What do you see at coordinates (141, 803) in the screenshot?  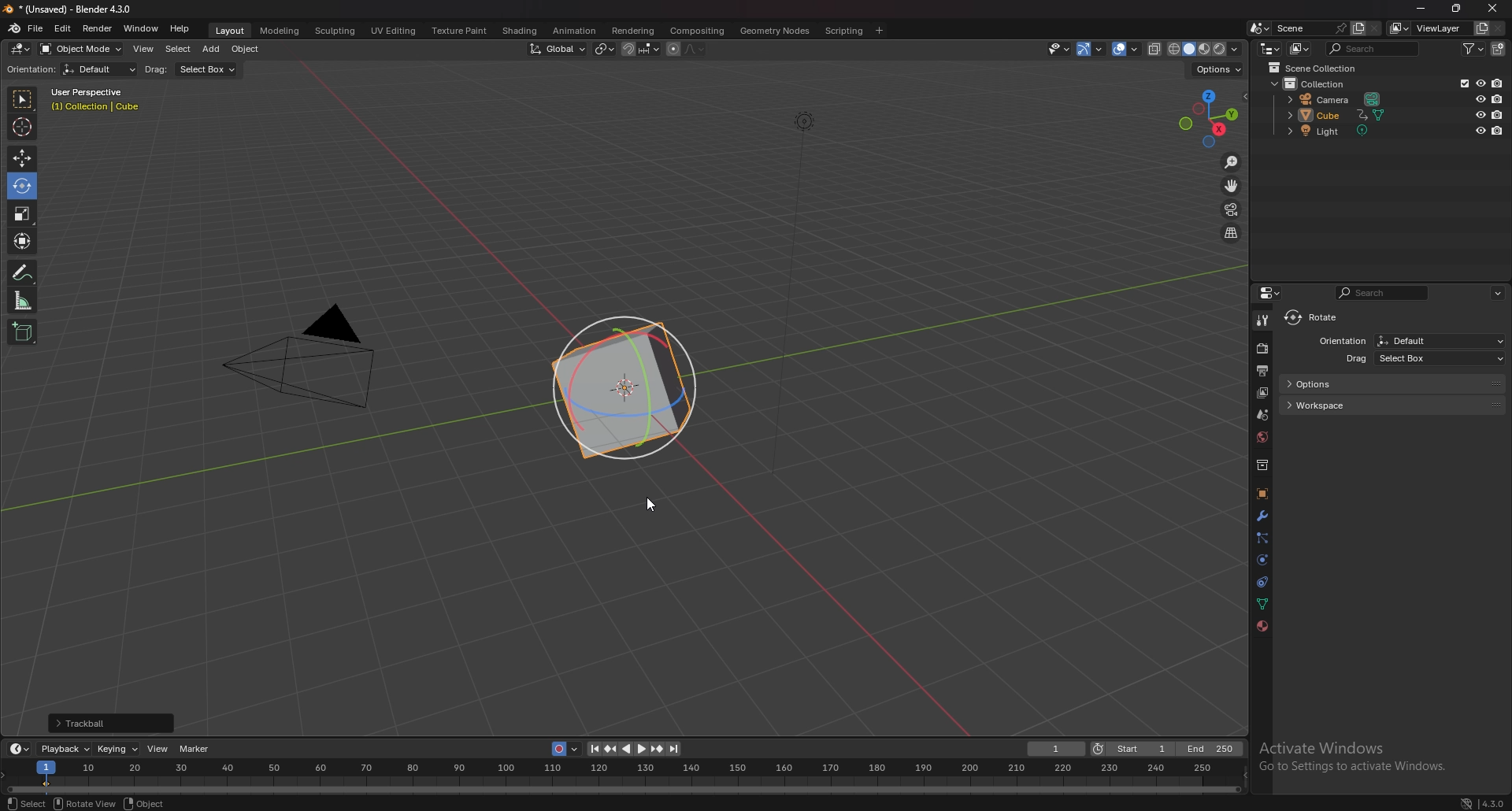 I see `object` at bounding box center [141, 803].